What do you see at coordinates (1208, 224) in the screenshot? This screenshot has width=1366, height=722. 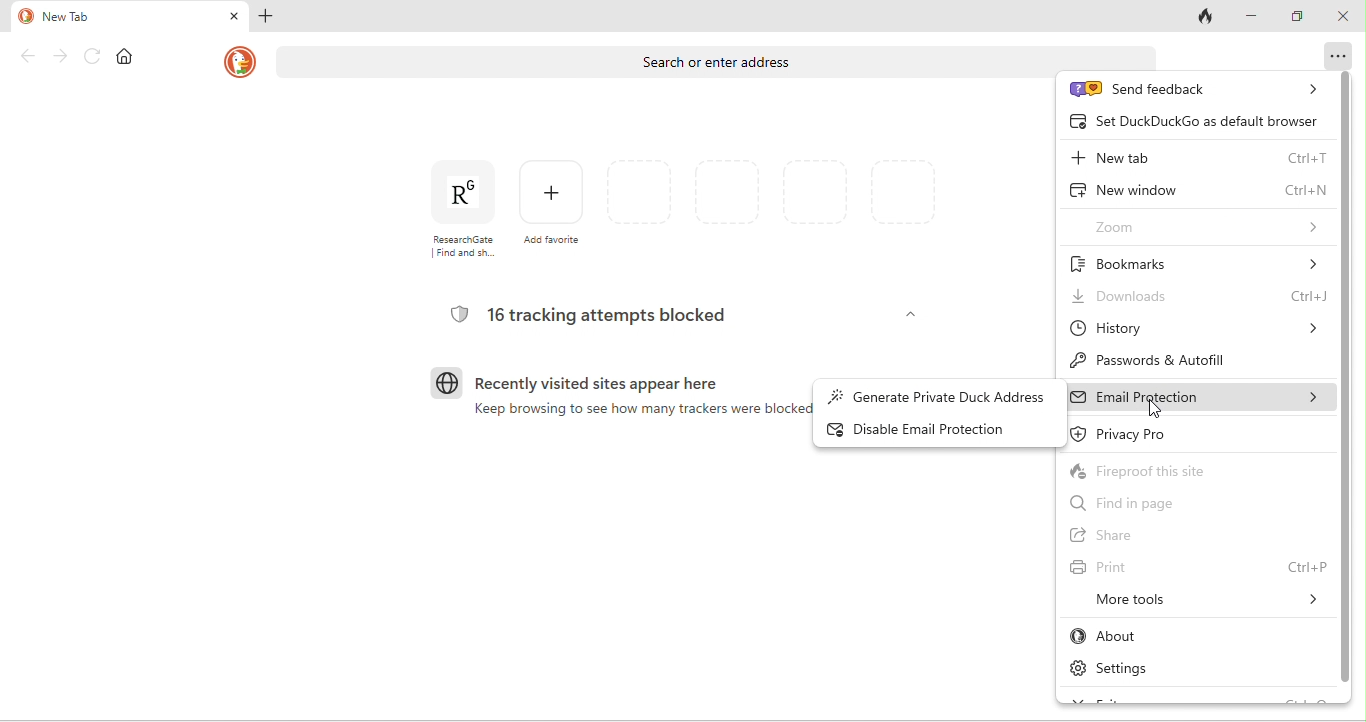 I see `zoom` at bounding box center [1208, 224].